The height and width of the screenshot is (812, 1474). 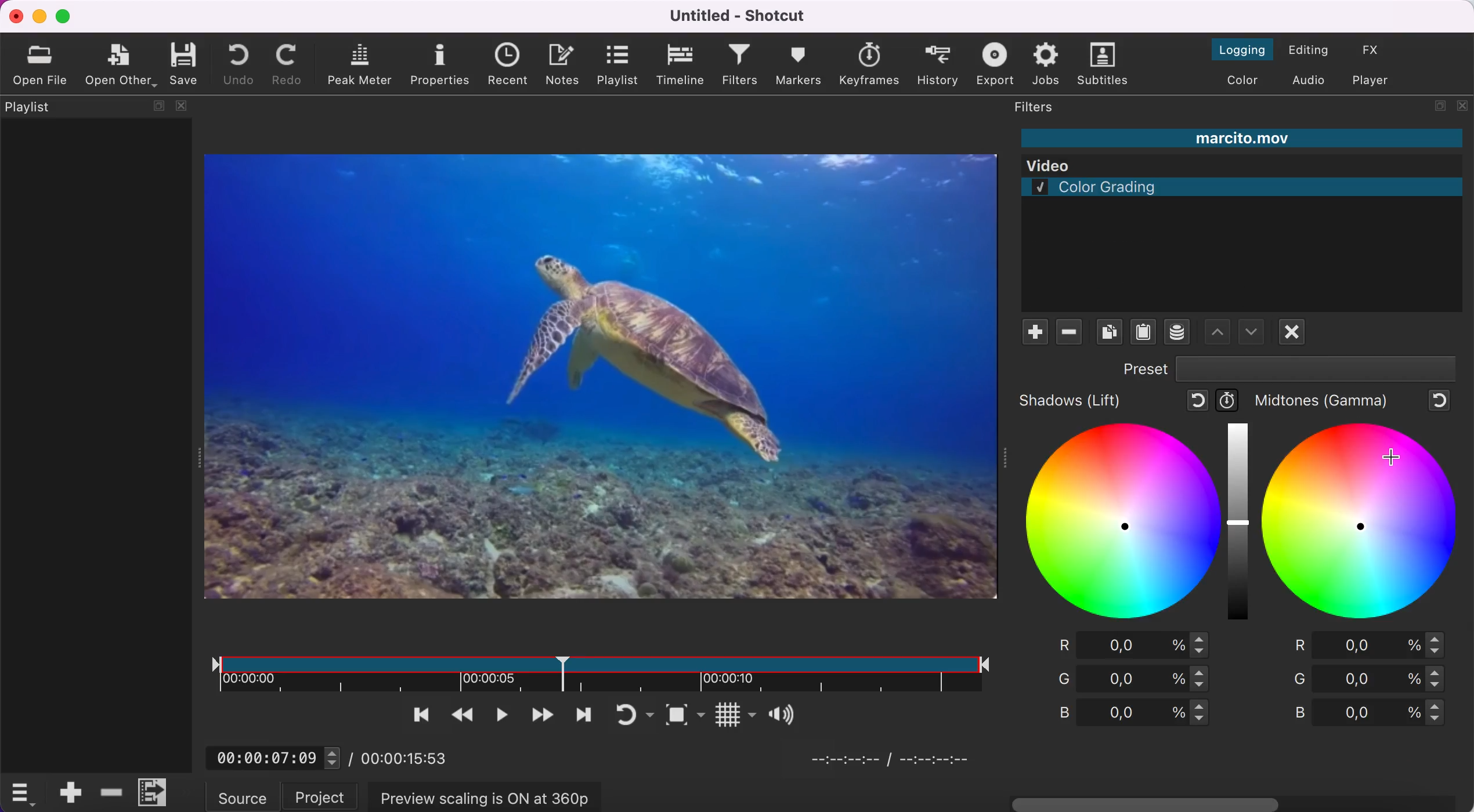 I want to click on markers, so click(x=800, y=66).